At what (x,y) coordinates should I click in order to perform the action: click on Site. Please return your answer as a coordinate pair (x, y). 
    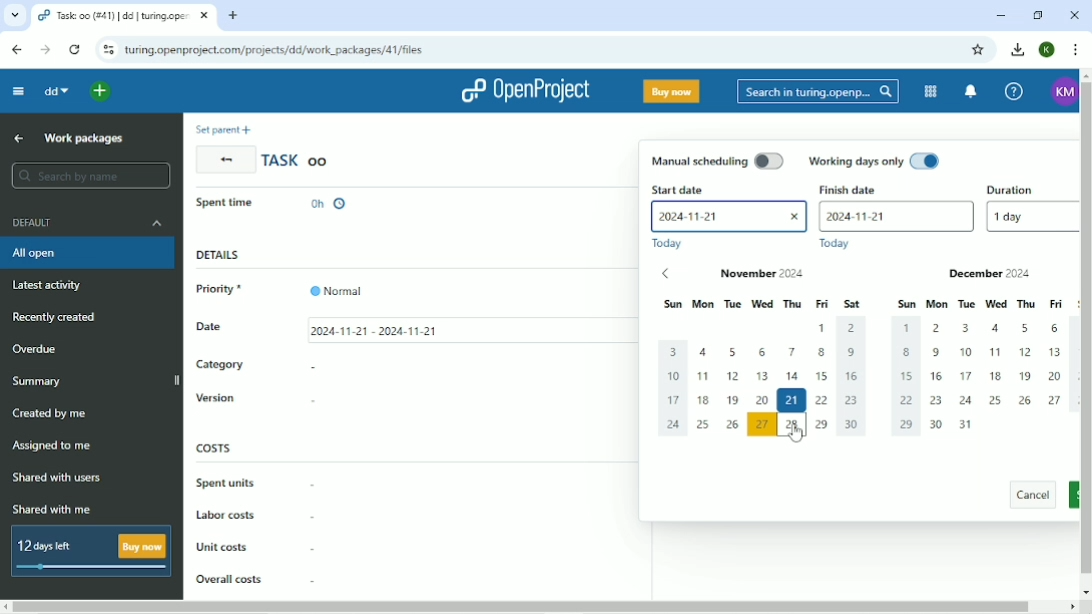
    Looking at the image, I should click on (276, 50).